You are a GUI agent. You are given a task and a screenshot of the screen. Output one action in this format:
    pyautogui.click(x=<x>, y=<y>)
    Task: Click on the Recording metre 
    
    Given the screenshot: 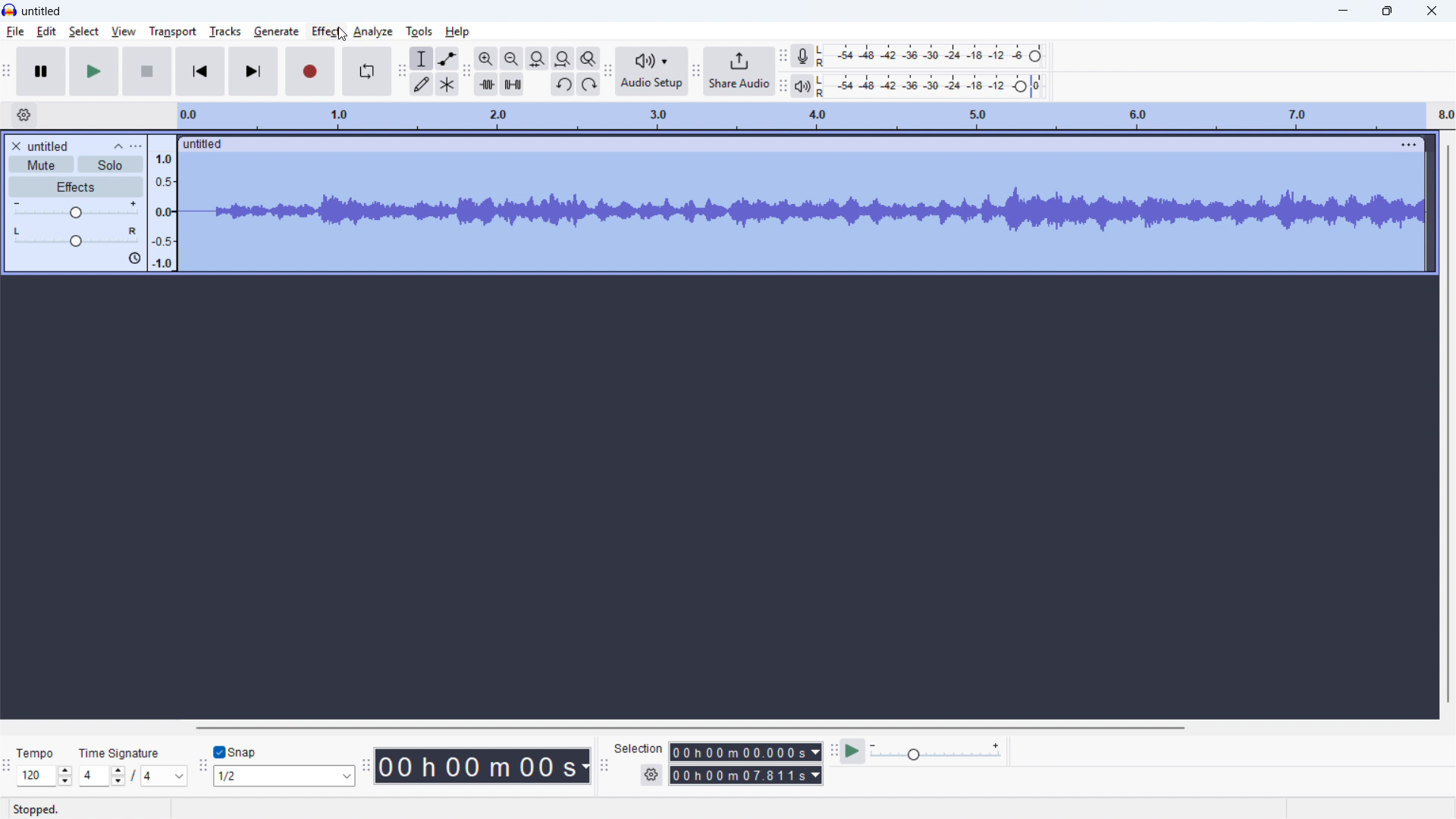 What is the action you would take?
    pyautogui.click(x=803, y=56)
    